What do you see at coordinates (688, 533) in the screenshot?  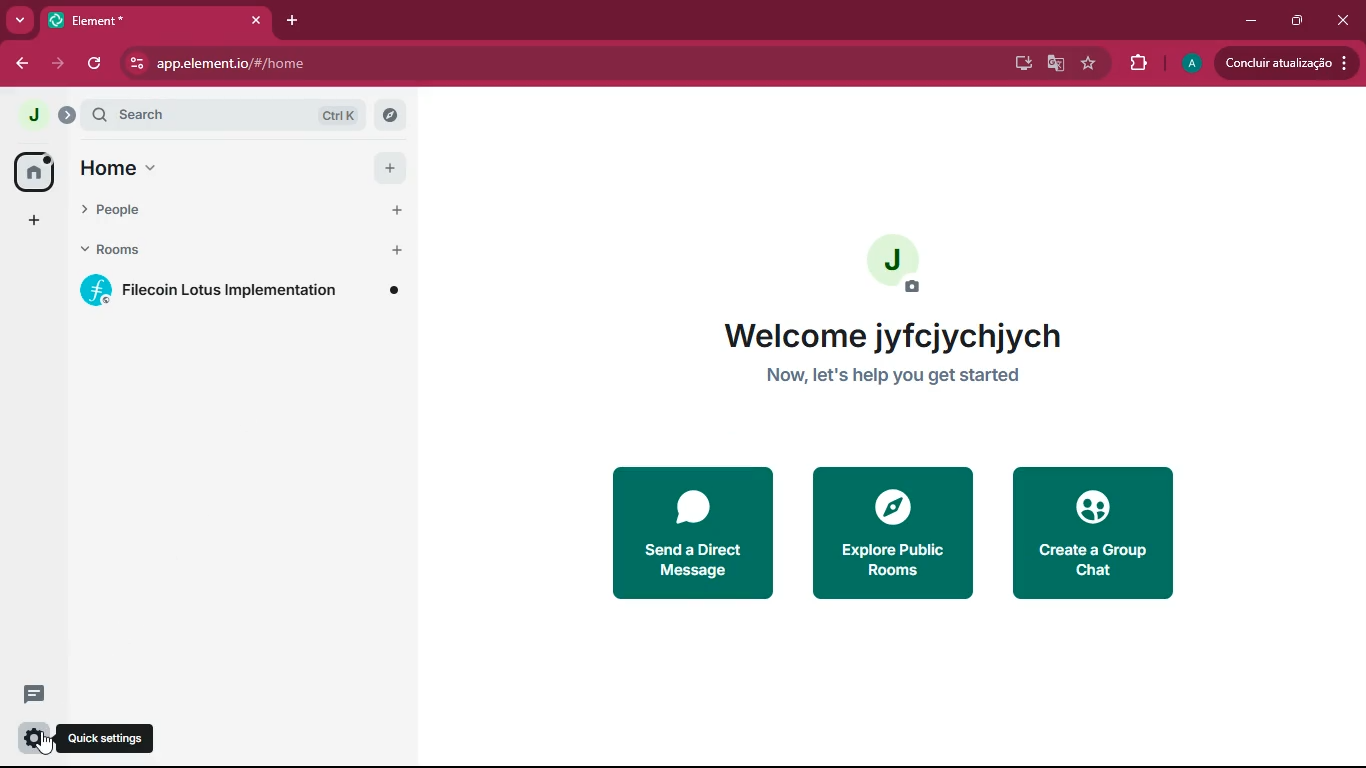 I see `send a direct message` at bounding box center [688, 533].